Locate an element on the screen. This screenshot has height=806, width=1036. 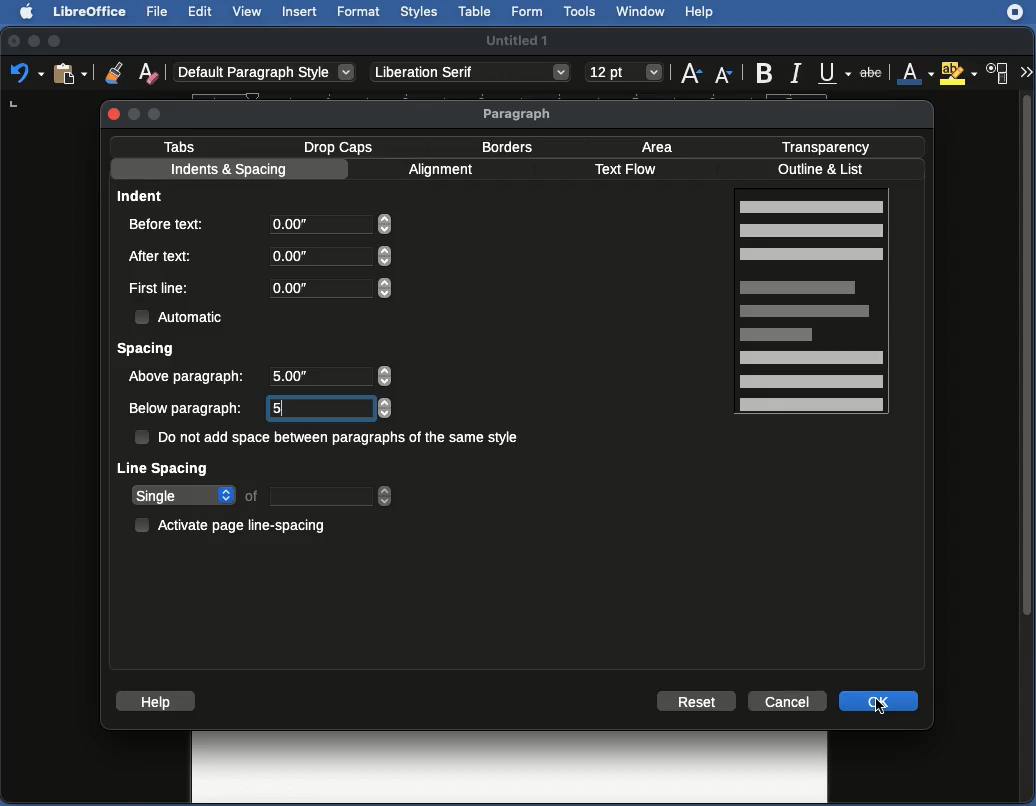
Untitled 1 is located at coordinates (519, 39).